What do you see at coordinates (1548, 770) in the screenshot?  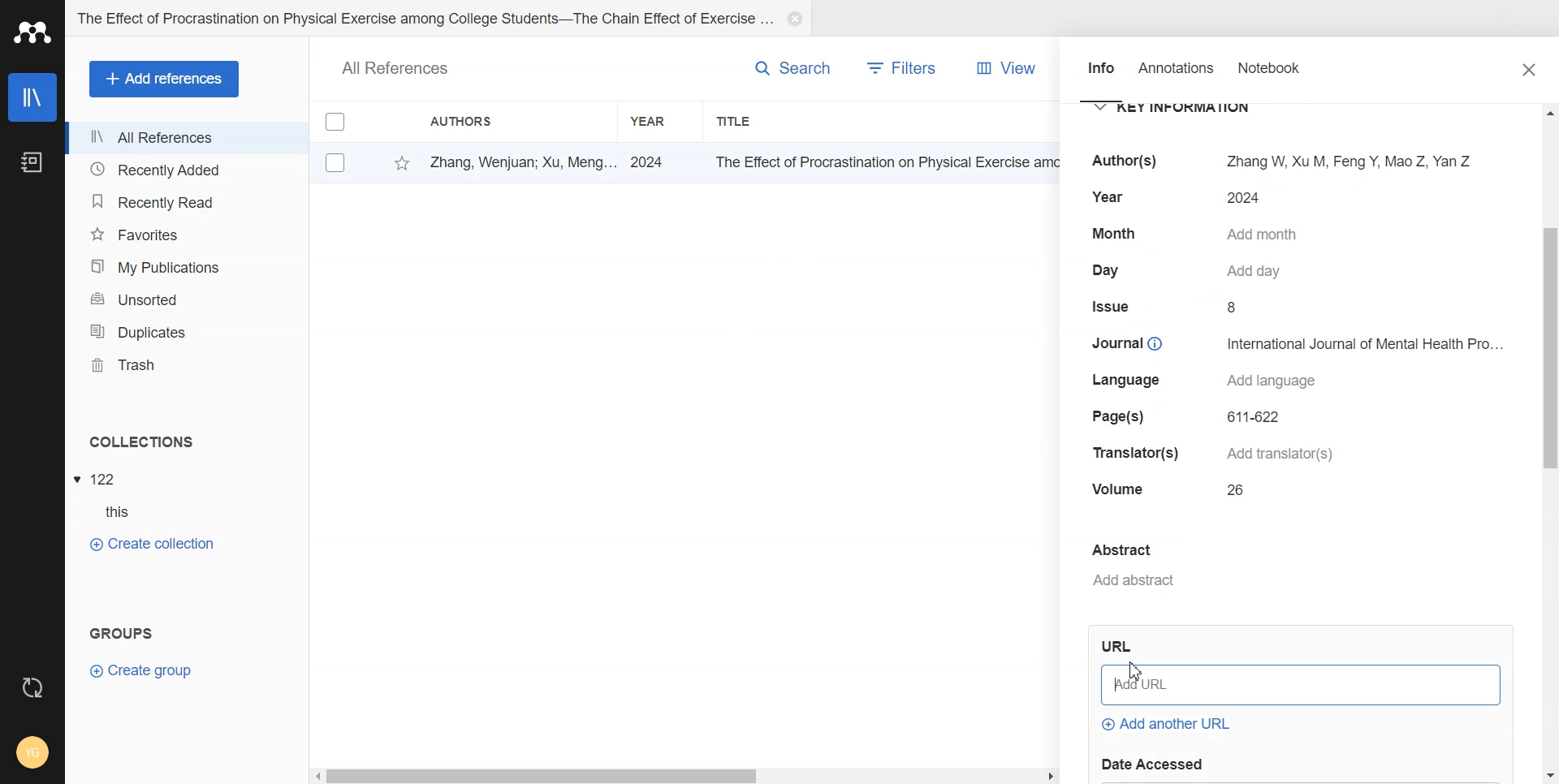 I see `Down` at bounding box center [1548, 770].